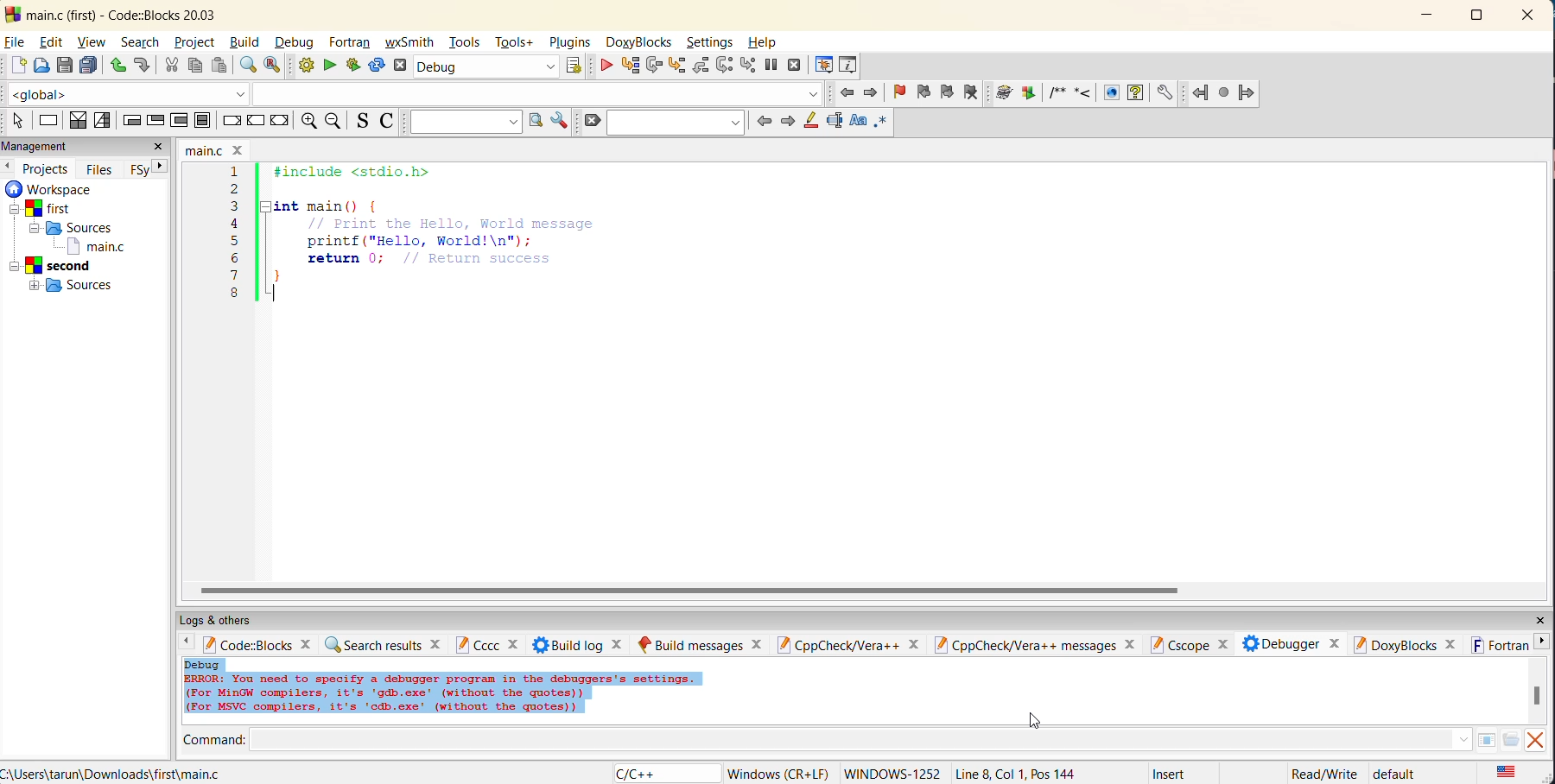  I want to click on run, so click(331, 66).